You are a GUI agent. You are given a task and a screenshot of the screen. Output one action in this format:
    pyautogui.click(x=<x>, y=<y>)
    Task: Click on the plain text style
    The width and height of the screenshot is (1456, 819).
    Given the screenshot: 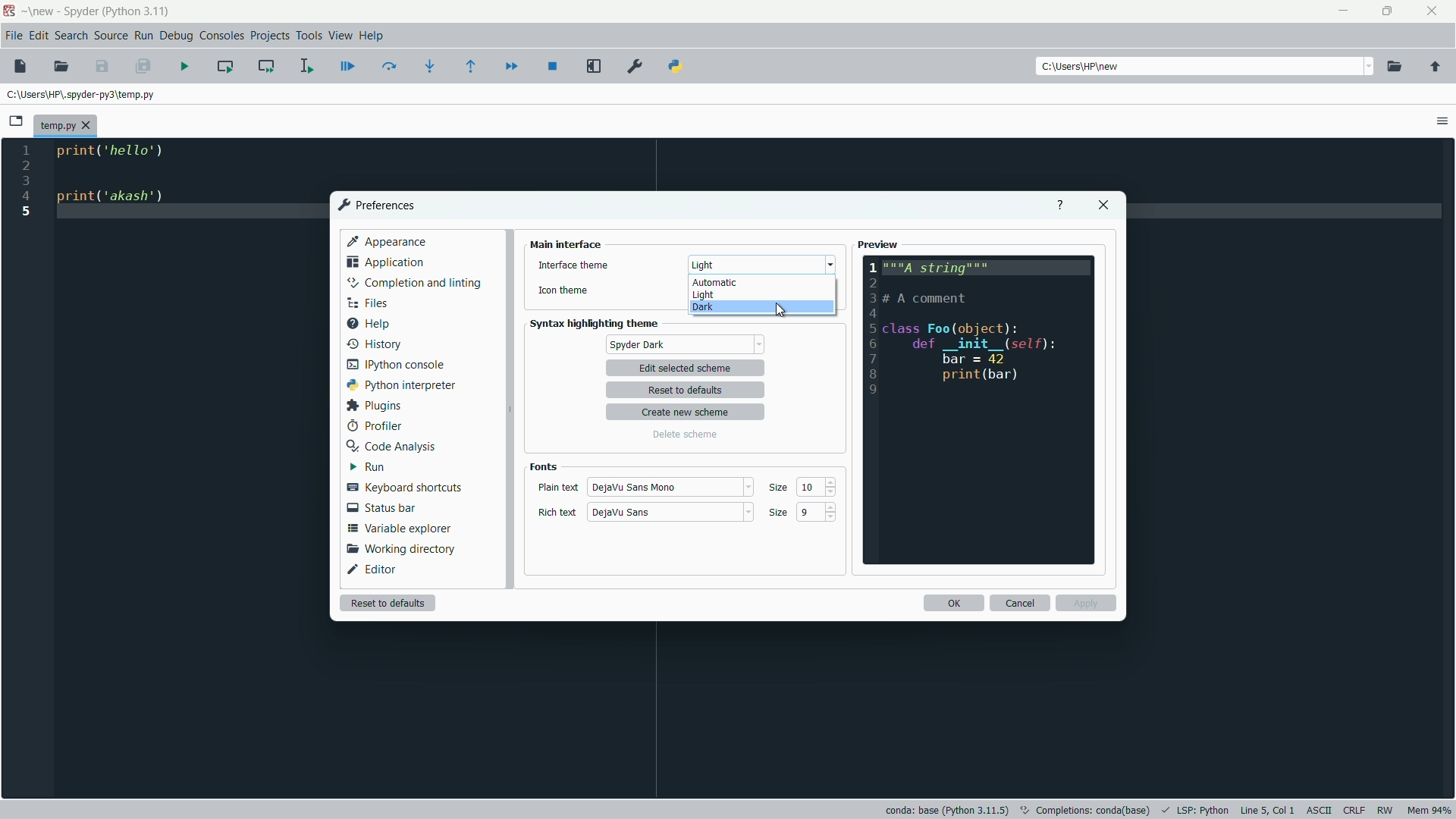 What is the action you would take?
    pyautogui.click(x=639, y=486)
    